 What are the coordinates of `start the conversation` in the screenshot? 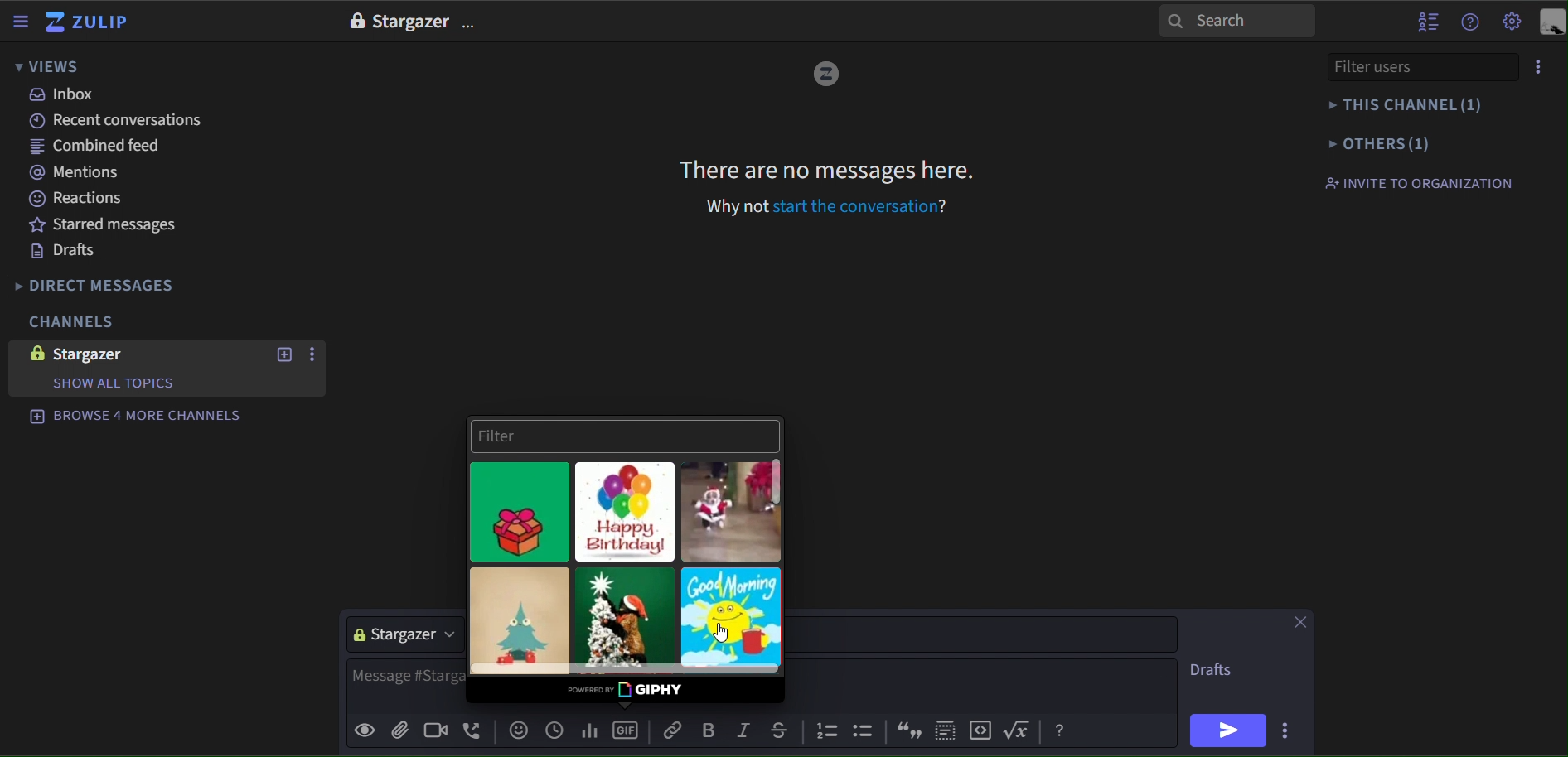 It's located at (854, 206).